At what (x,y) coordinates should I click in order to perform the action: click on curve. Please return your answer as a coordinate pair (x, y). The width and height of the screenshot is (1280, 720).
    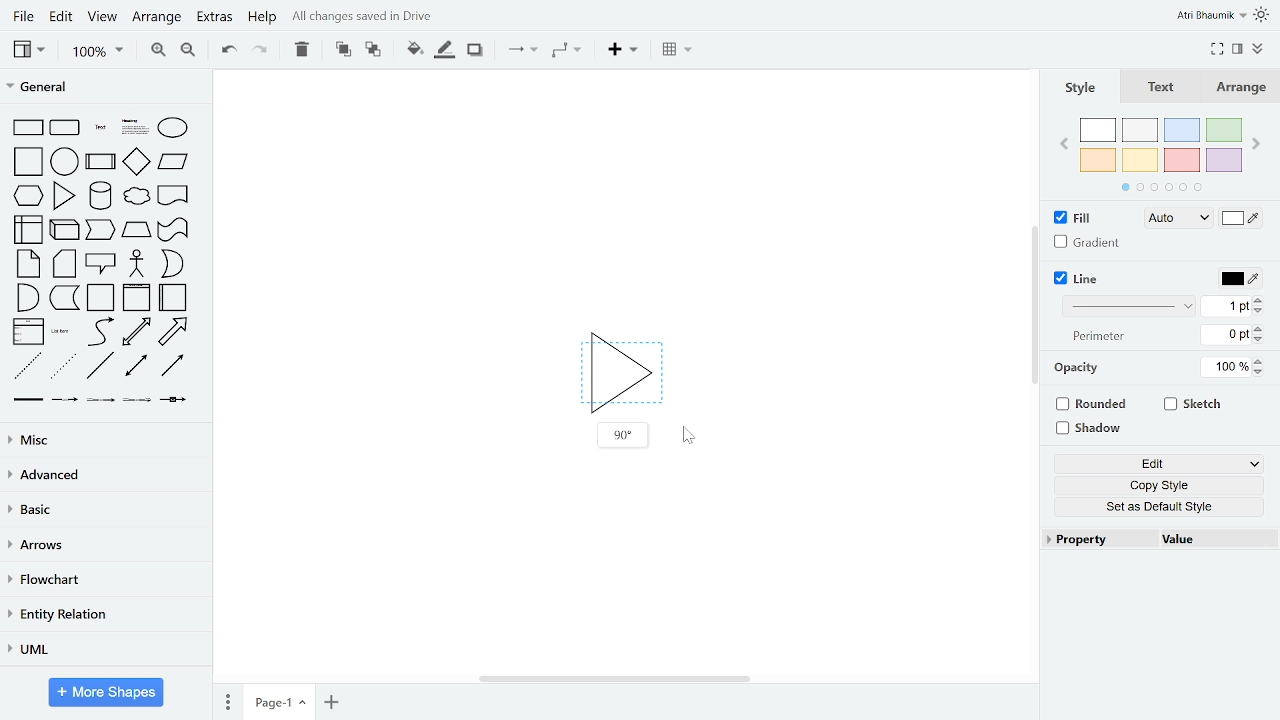
    Looking at the image, I should click on (98, 332).